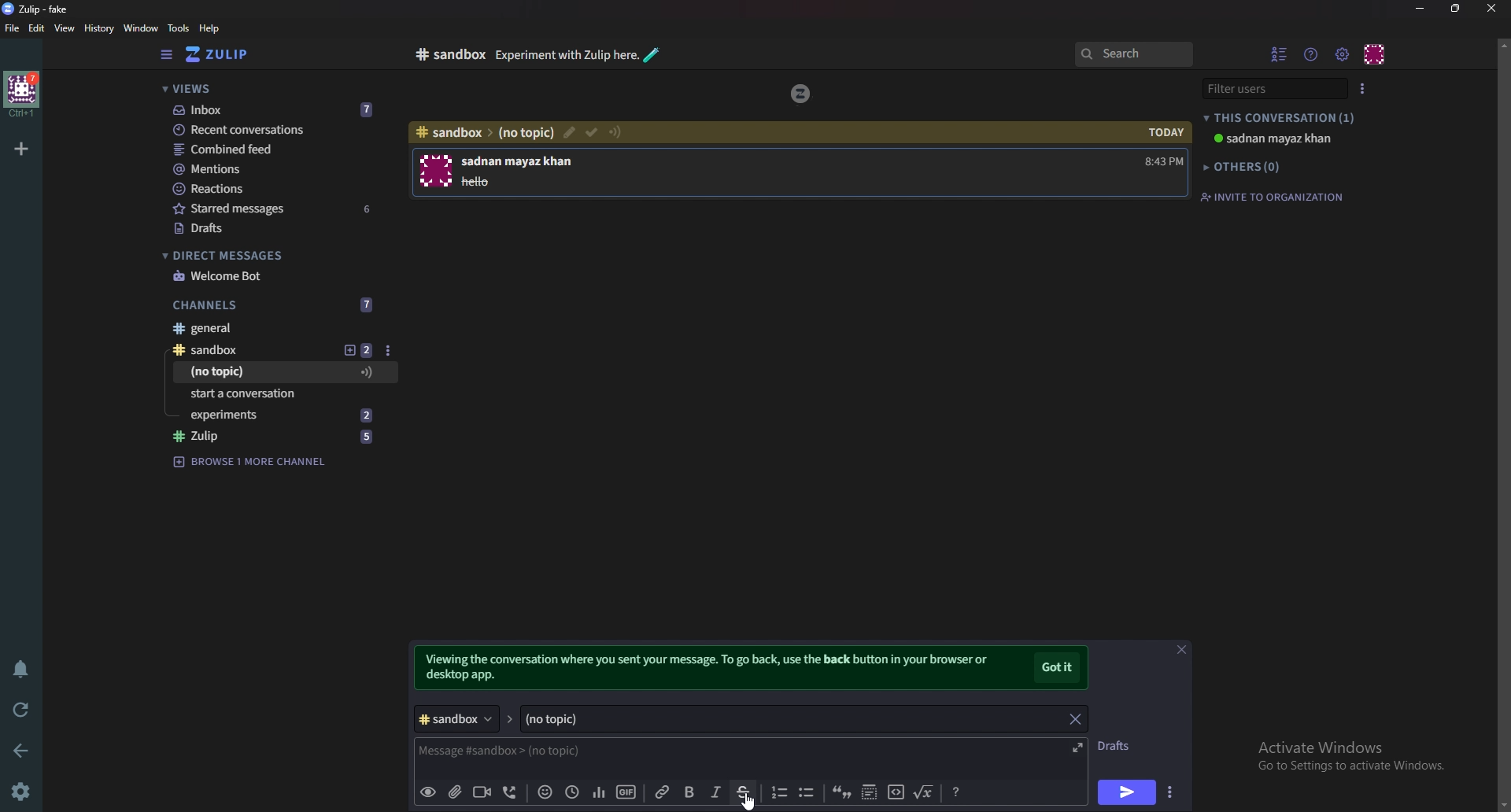 The width and height of the screenshot is (1511, 812). What do you see at coordinates (777, 792) in the screenshot?
I see `Number list` at bounding box center [777, 792].